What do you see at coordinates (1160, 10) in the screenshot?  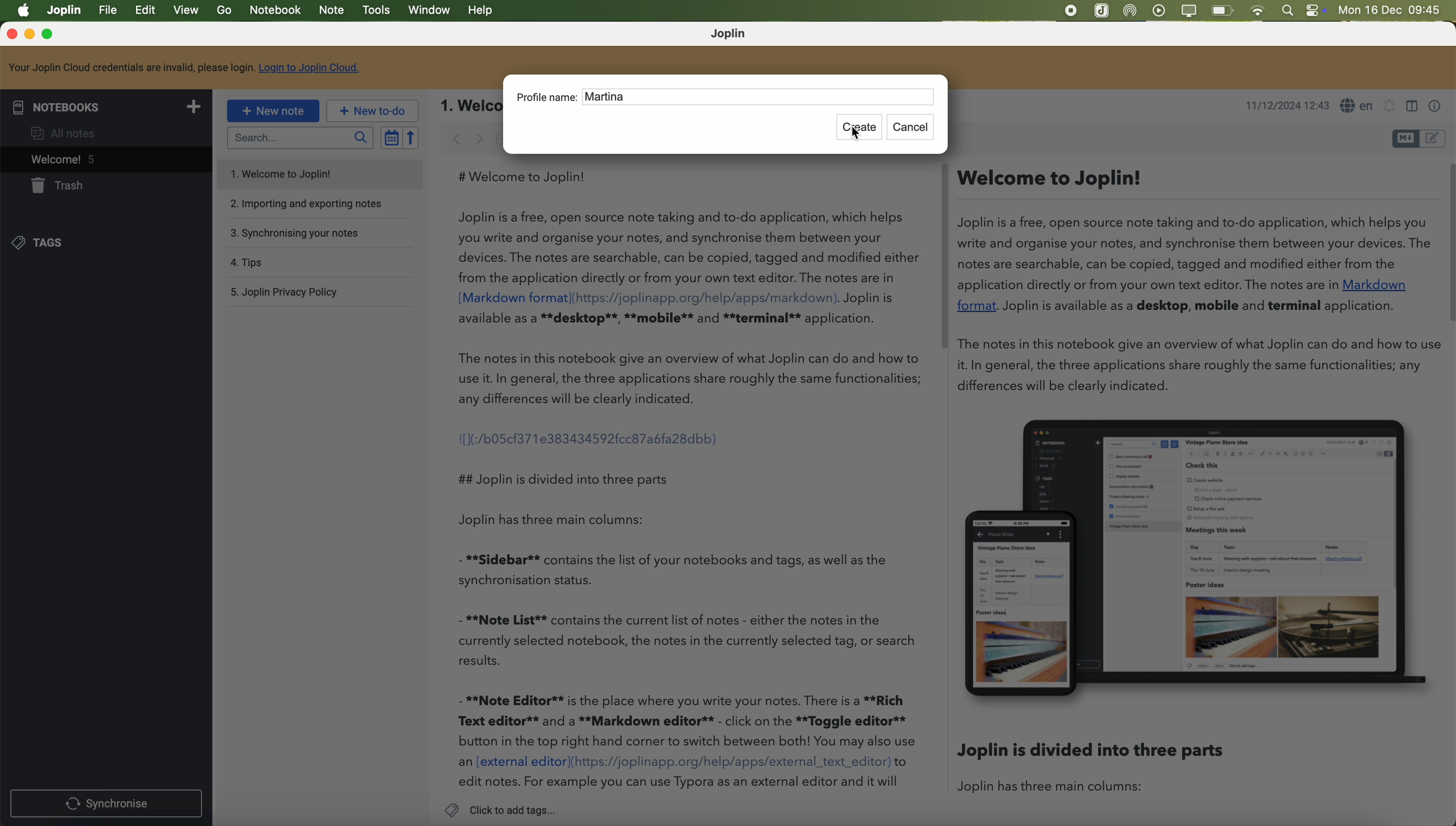 I see `play` at bounding box center [1160, 10].